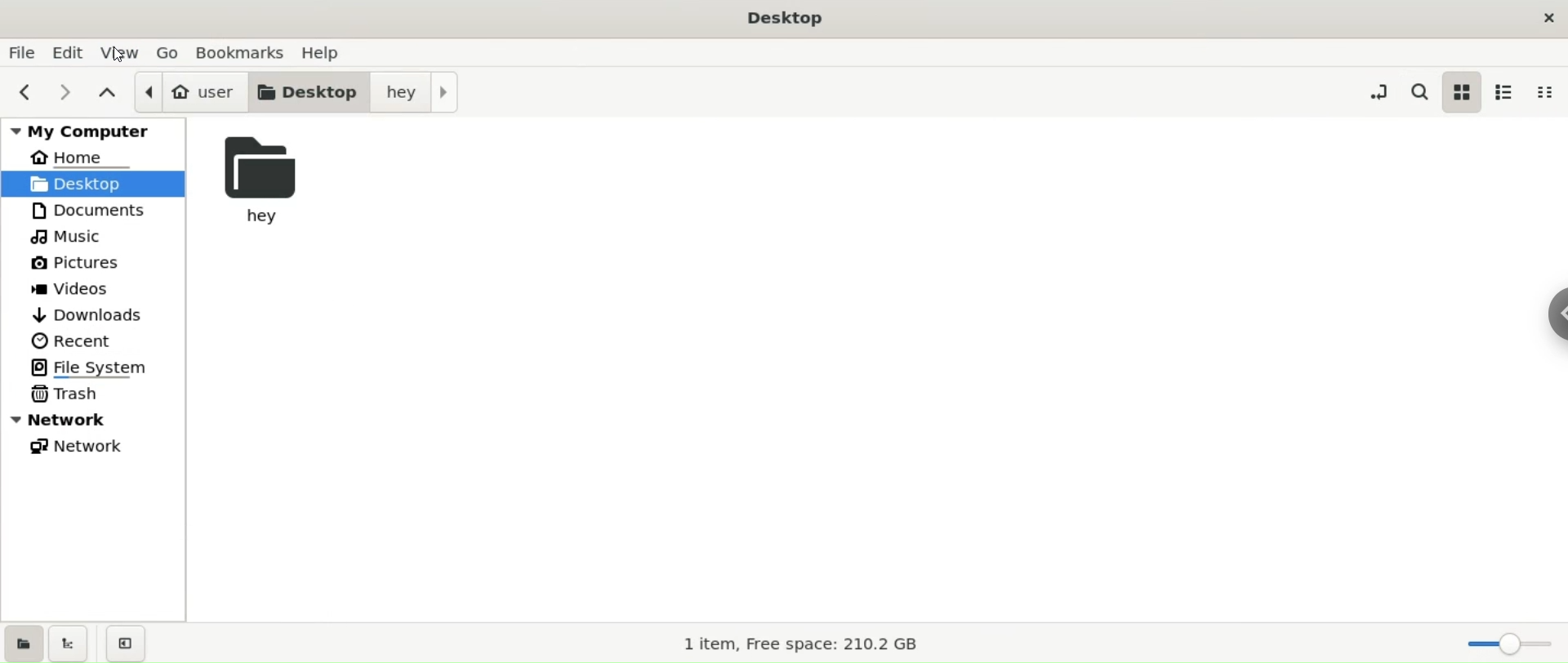 Image resolution: width=1568 pixels, height=663 pixels. Describe the element at coordinates (273, 178) in the screenshot. I see `hey` at that location.